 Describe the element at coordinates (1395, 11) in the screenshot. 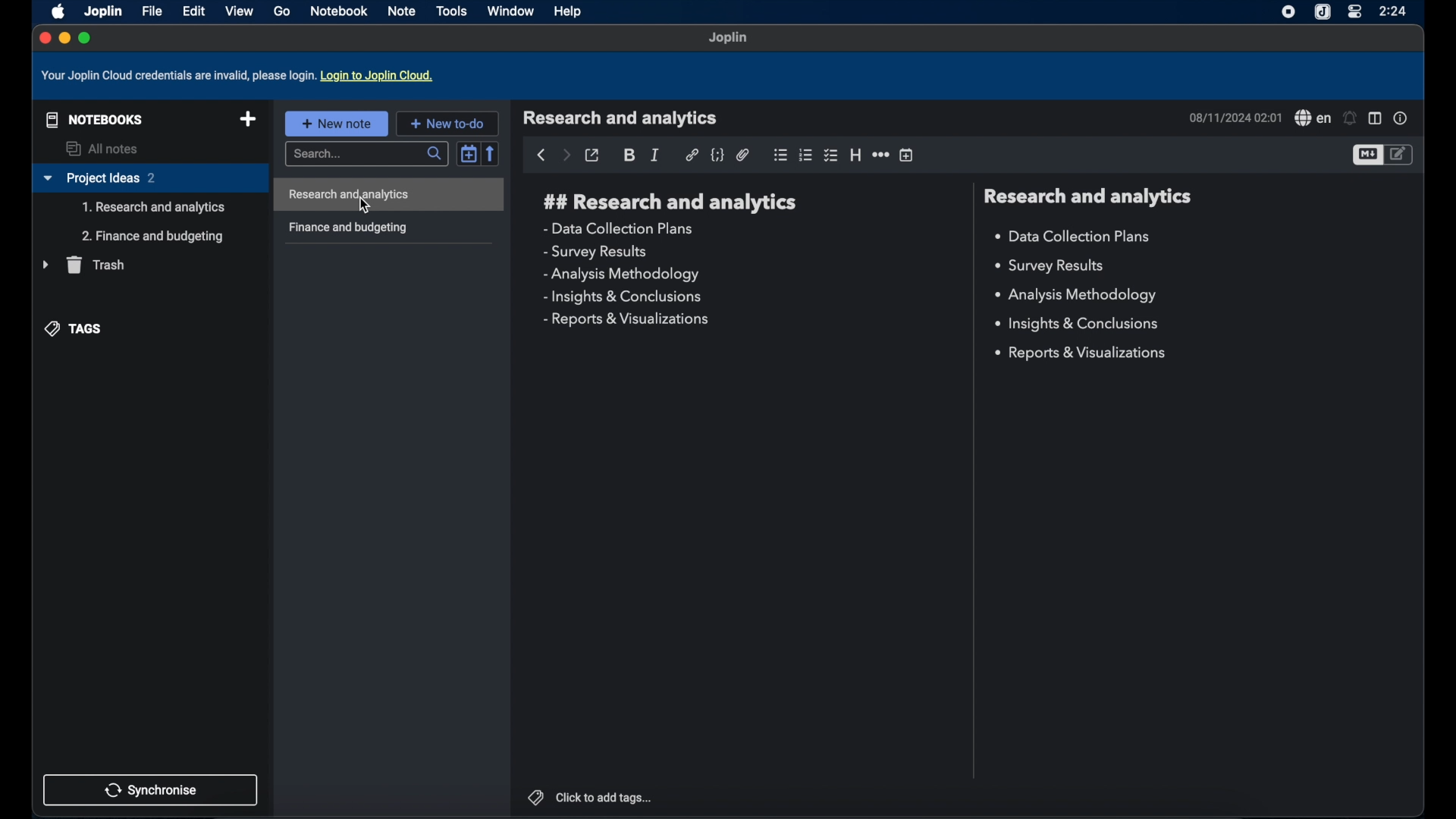

I see `2:24` at that location.